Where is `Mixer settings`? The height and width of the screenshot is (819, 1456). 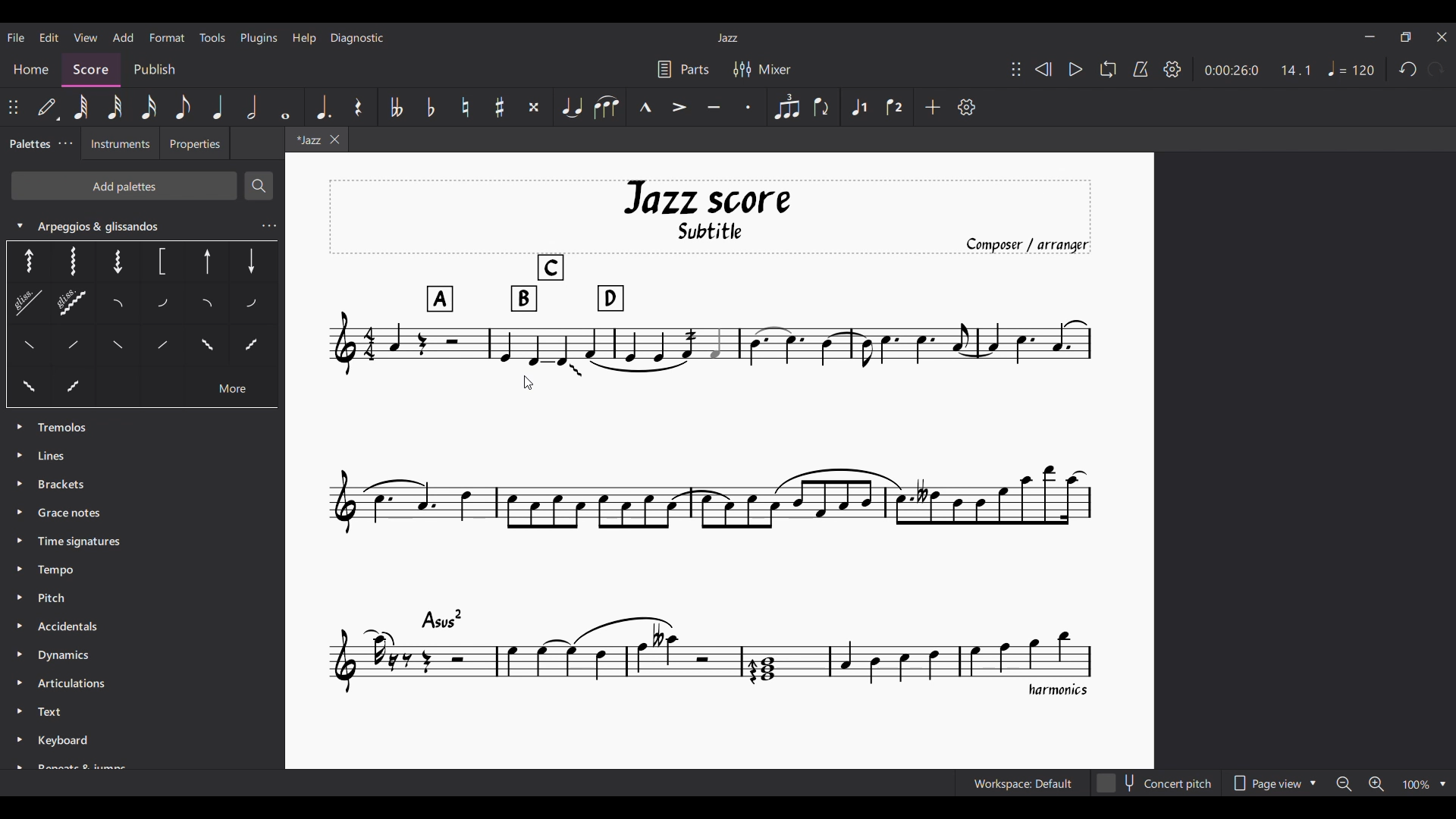 Mixer settings is located at coordinates (761, 69).